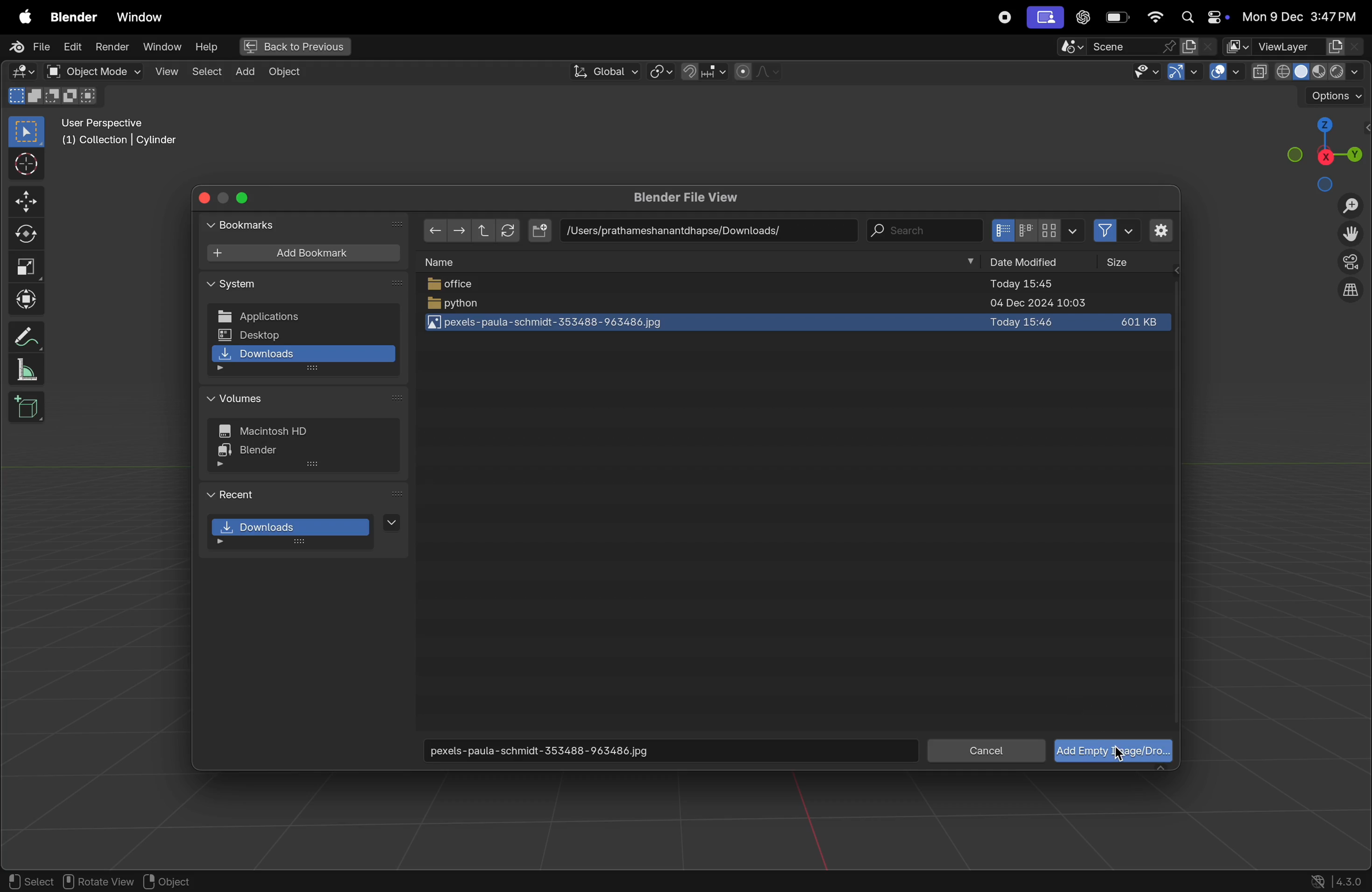 Image resolution: width=1372 pixels, height=892 pixels. What do you see at coordinates (435, 229) in the screenshot?
I see `back ward` at bounding box center [435, 229].